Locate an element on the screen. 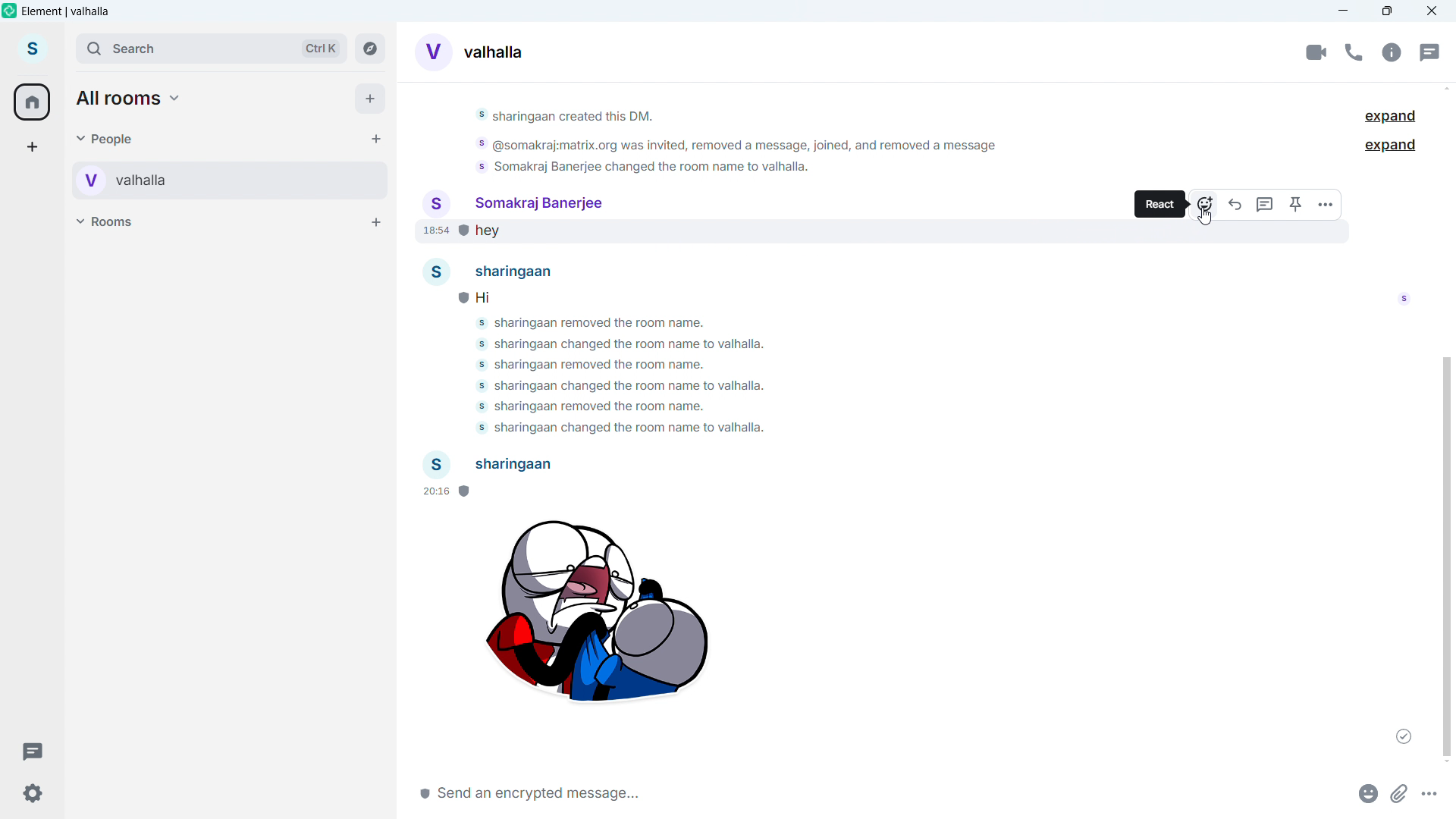  somakraj banerjee charged the room name to valhalla is located at coordinates (614, 428).